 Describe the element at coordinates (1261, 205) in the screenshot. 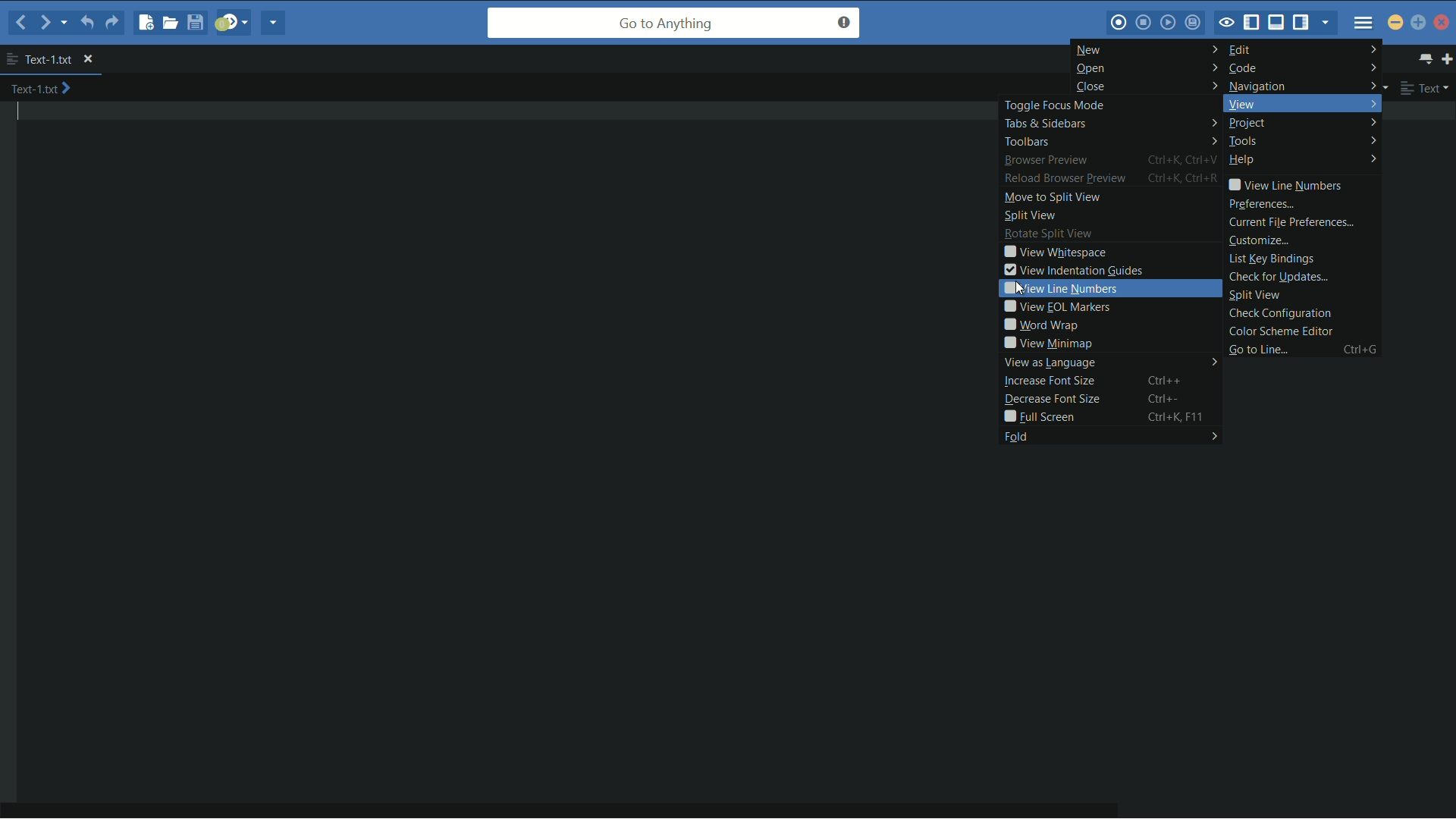

I see `preferences` at that location.